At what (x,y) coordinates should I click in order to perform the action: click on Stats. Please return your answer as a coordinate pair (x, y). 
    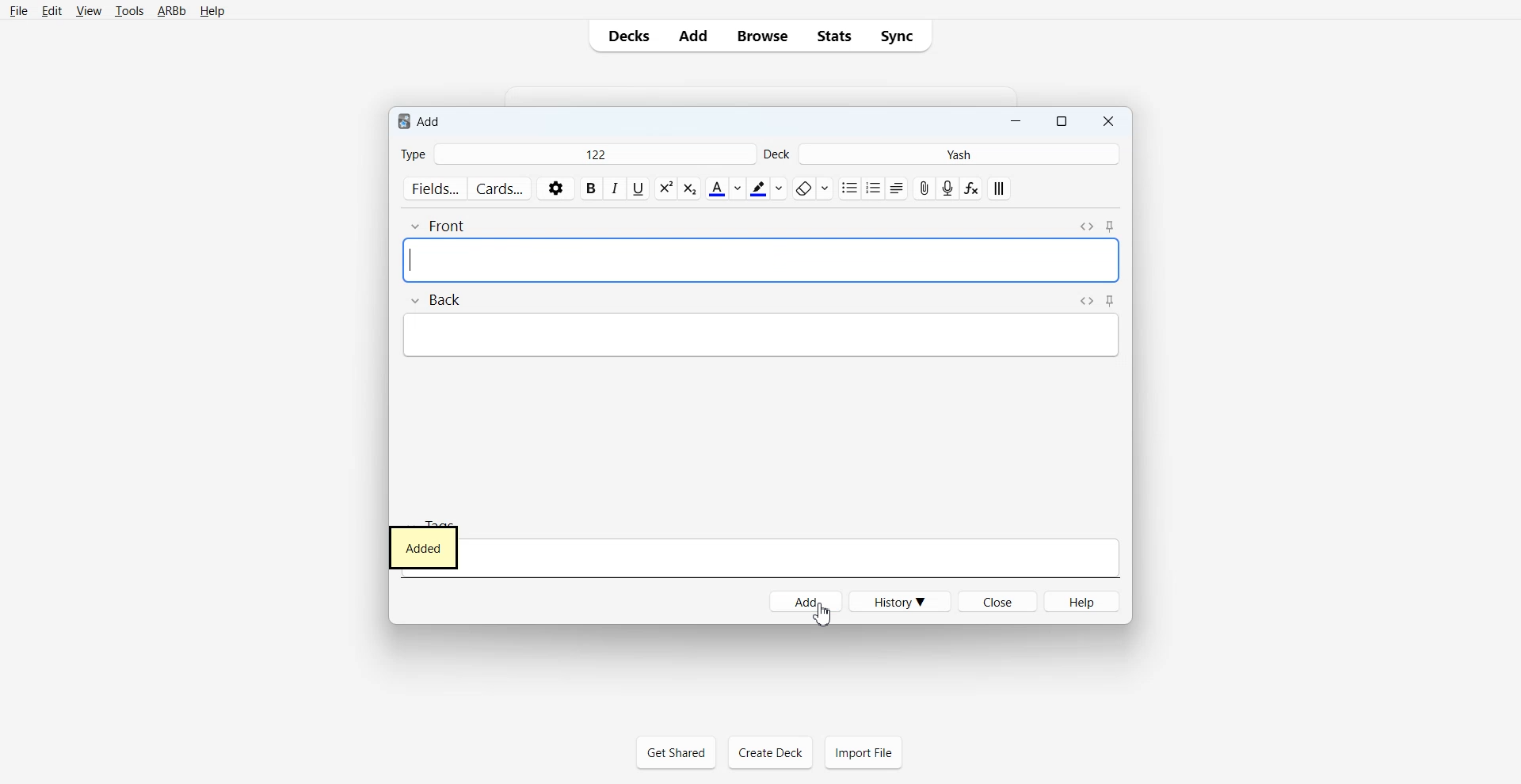
    Looking at the image, I should click on (833, 36).